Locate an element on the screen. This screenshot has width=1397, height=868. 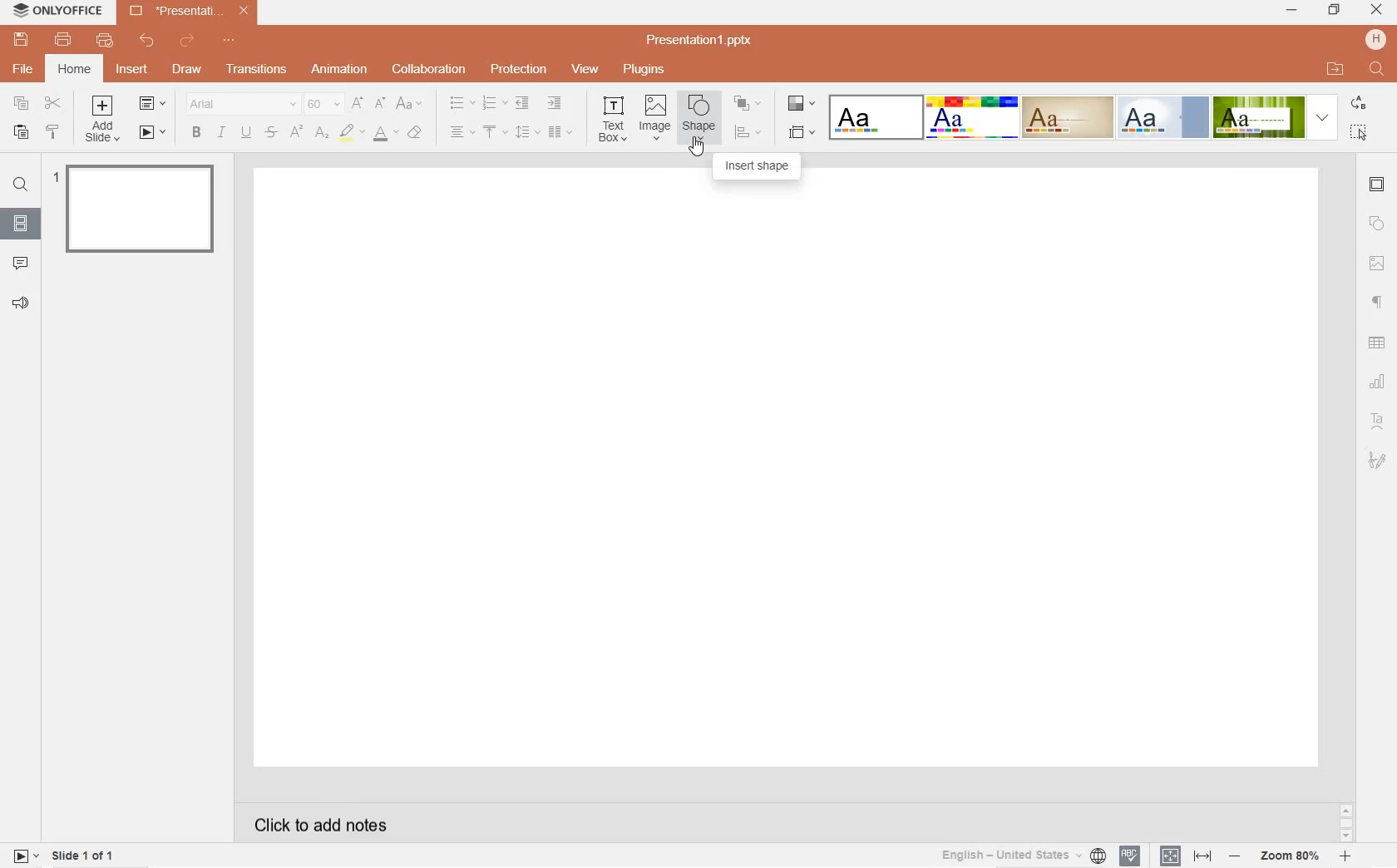
decrease indent is located at coordinates (521, 104).